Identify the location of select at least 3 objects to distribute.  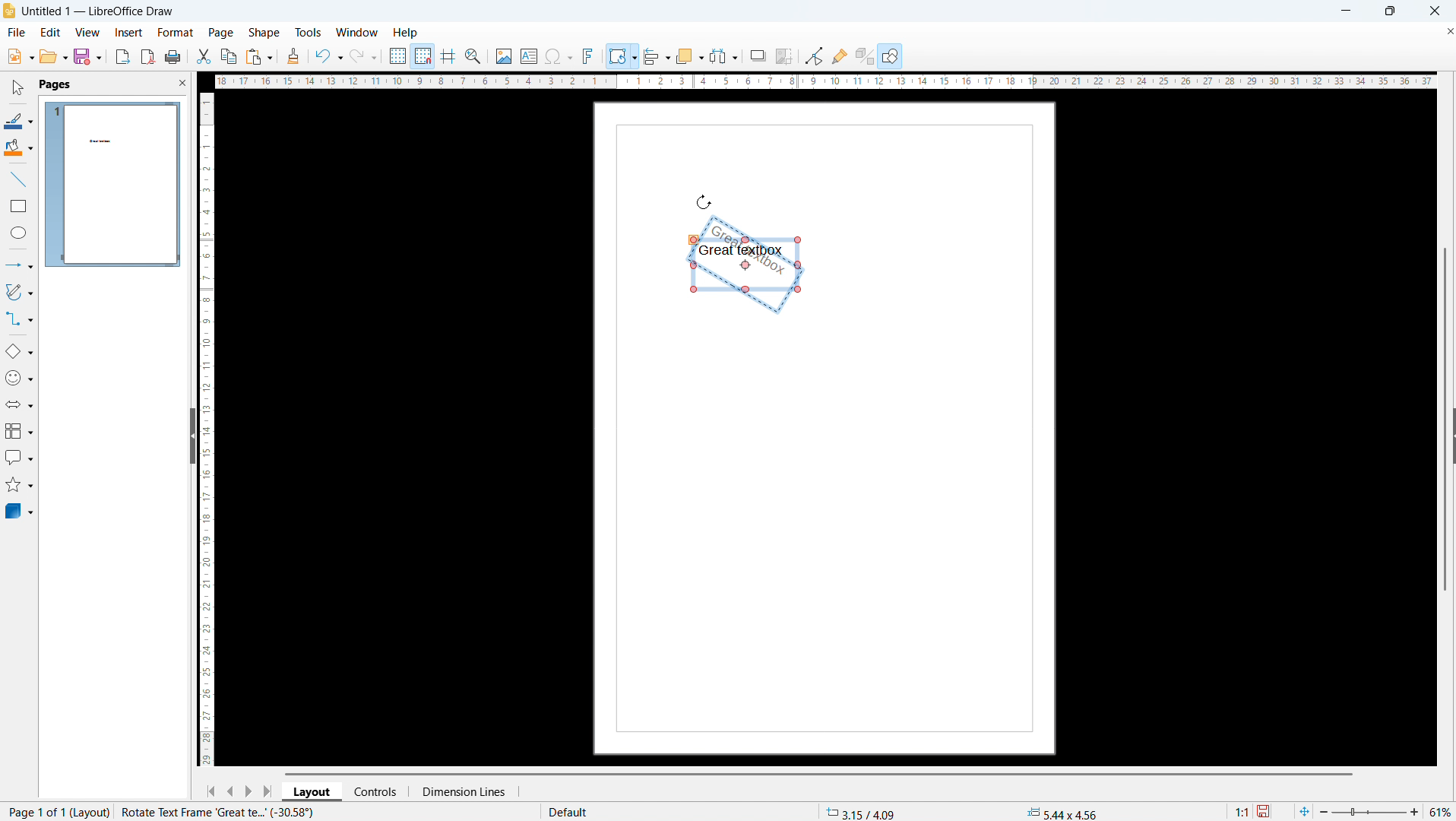
(724, 55).